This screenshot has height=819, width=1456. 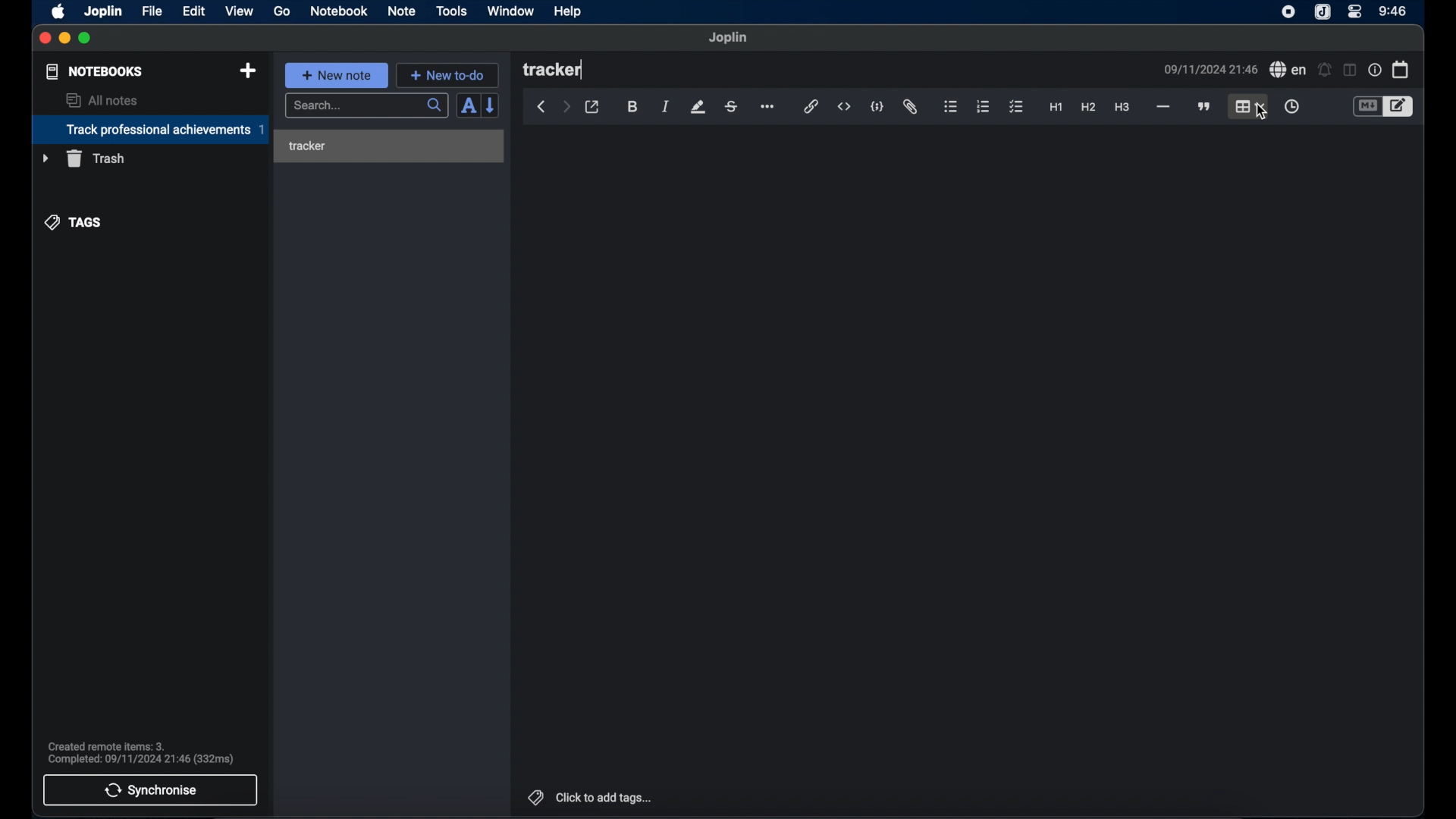 What do you see at coordinates (1291, 106) in the screenshot?
I see `insert time` at bounding box center [1291, 106].